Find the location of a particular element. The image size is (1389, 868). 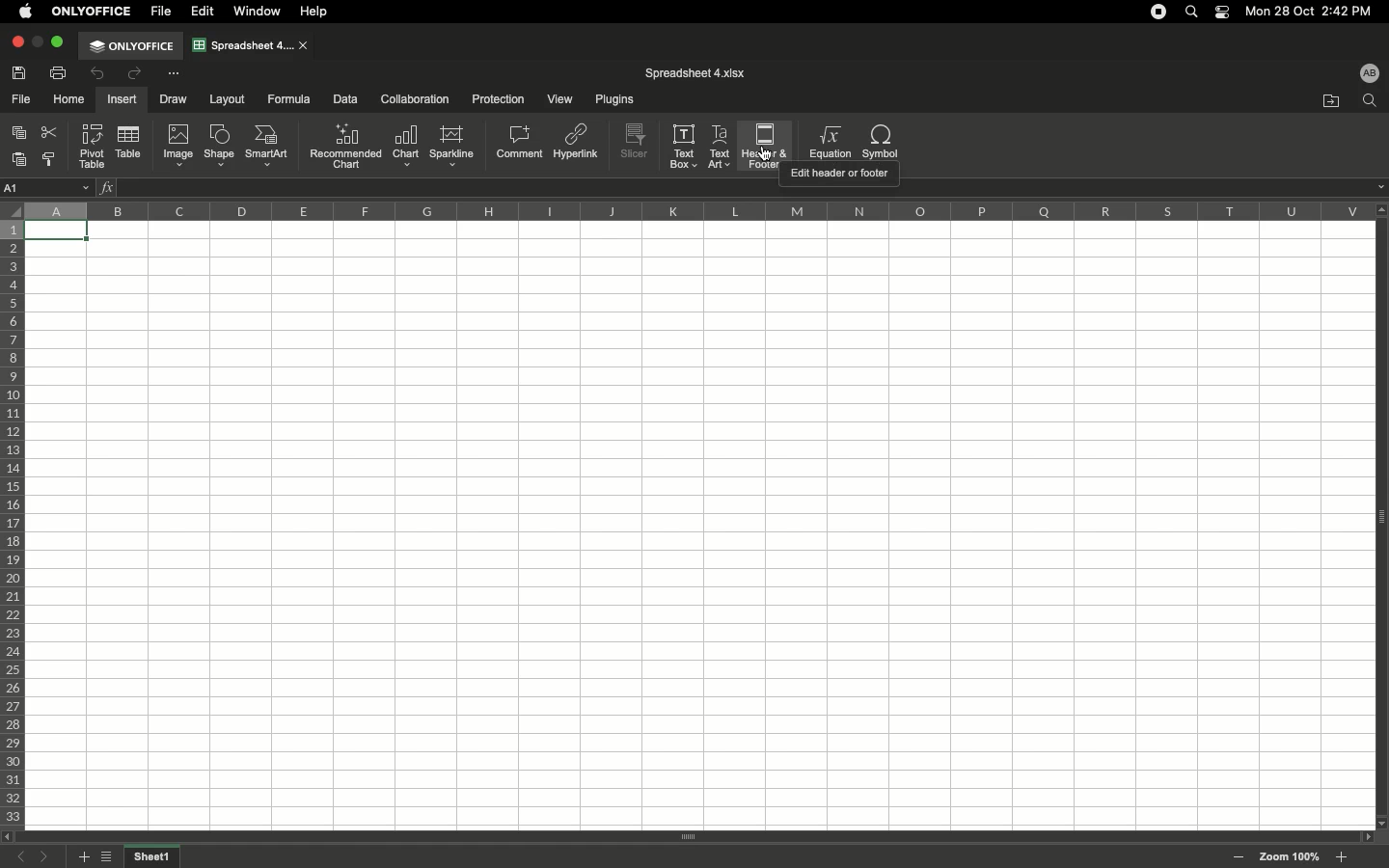

Hyperlink is located at coordinates (577, 146).